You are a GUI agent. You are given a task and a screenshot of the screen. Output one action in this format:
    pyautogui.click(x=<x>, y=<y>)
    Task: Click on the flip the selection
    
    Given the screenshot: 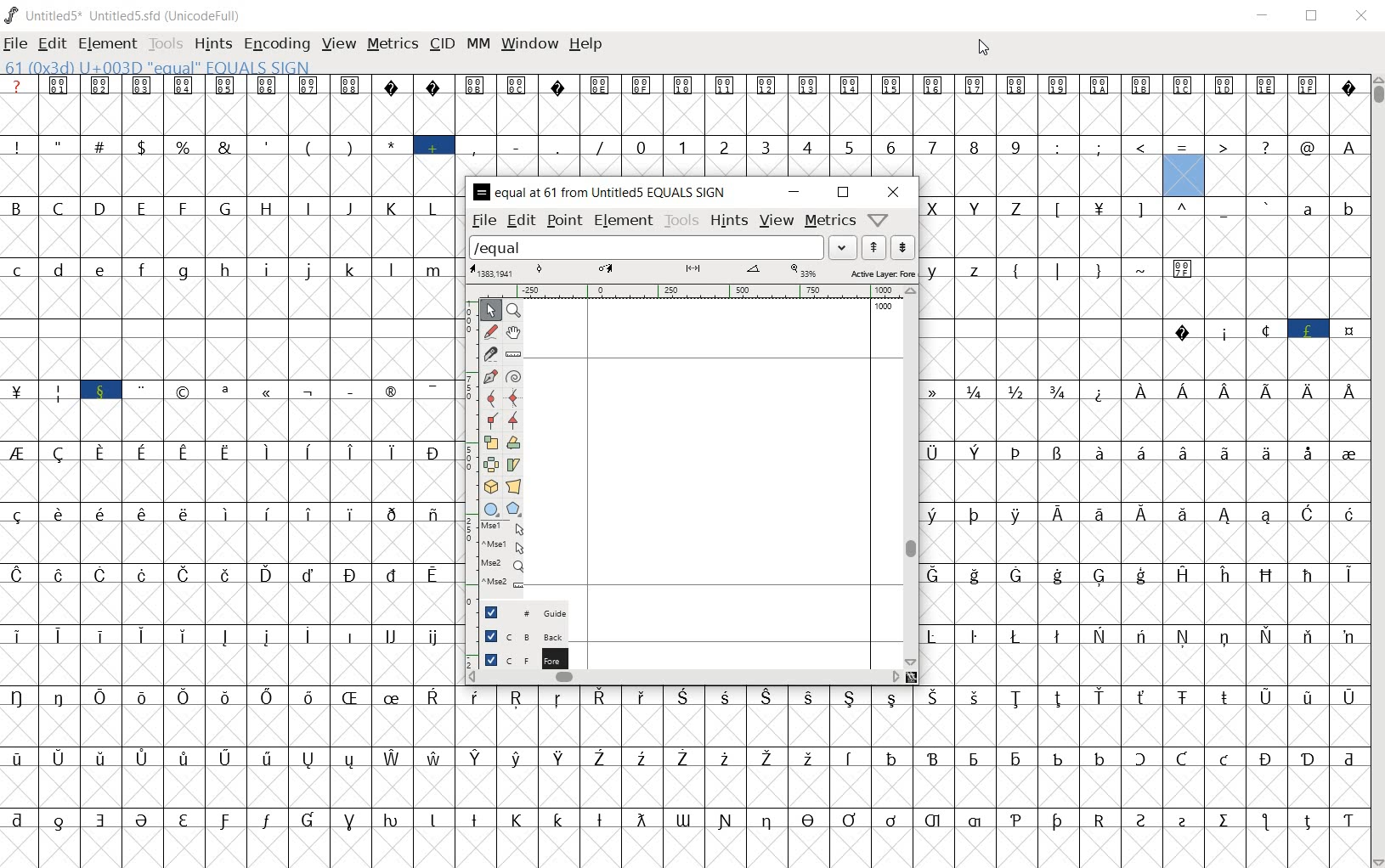 What is the action you would take?
    pyautogui.click(x=491, y=465)
    